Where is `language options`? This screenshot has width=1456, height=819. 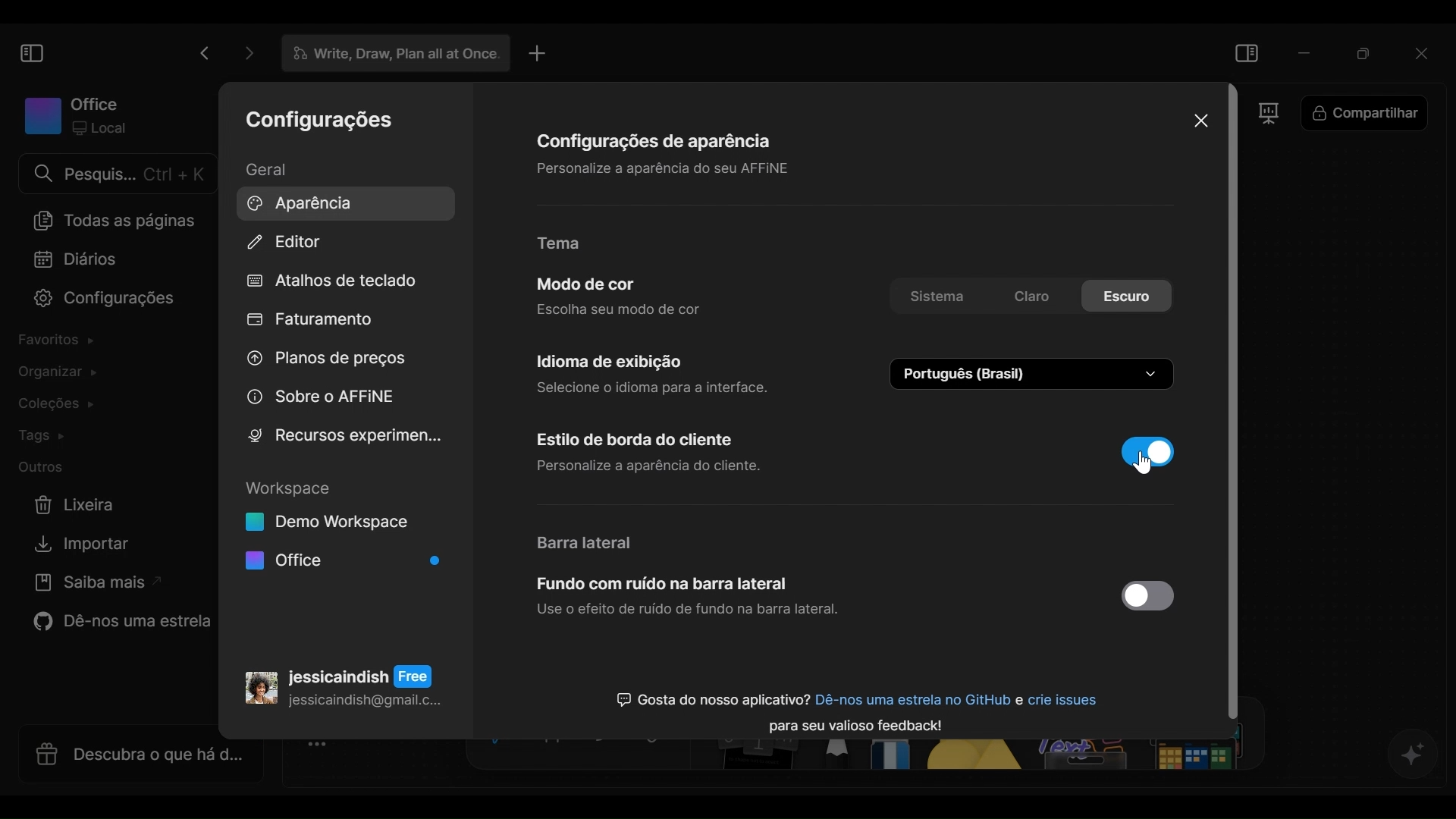
language options is located at coordinates (1034, 374).